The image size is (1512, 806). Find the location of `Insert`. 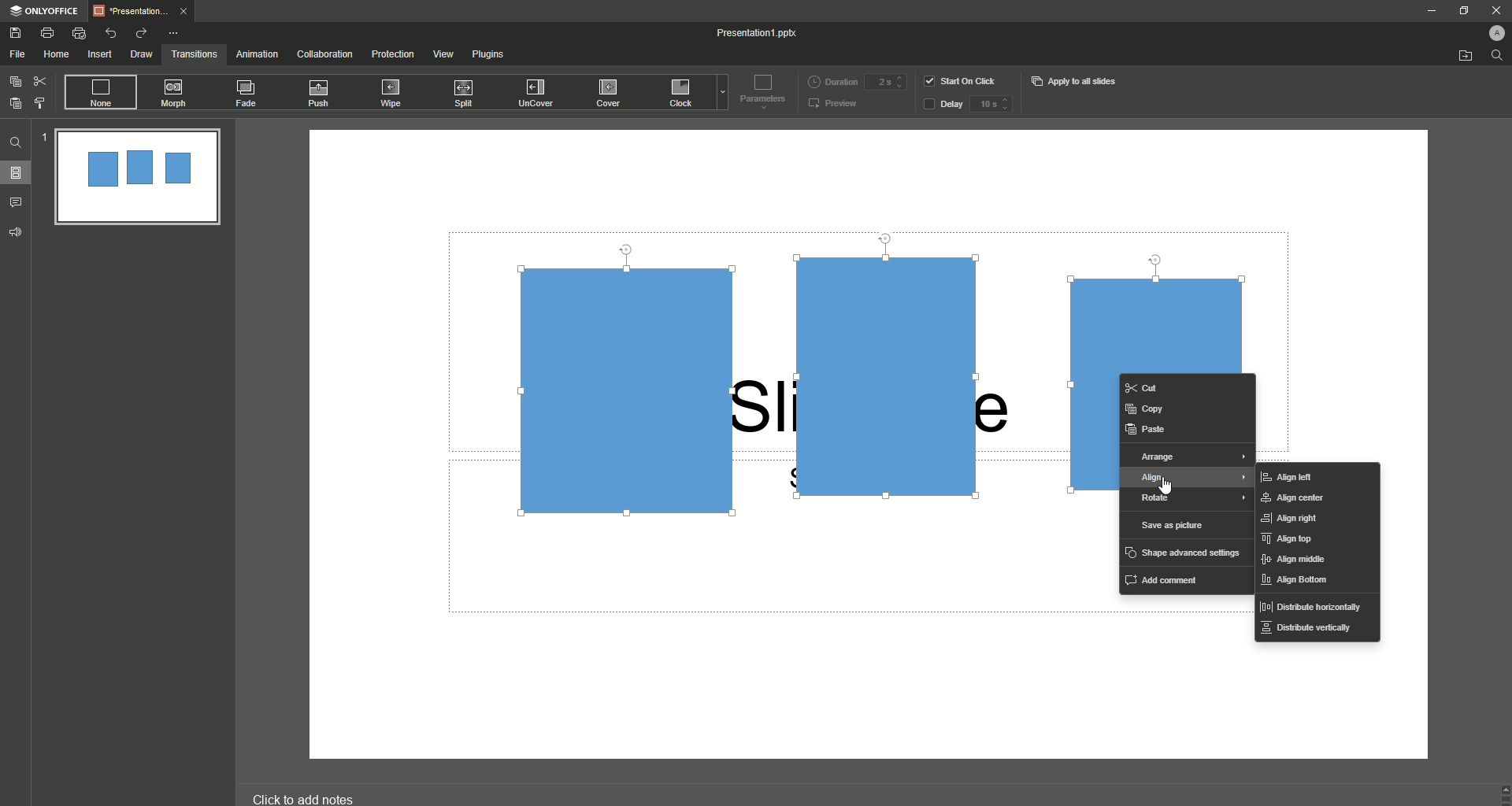

Insert is located at coordinates (99, 55).